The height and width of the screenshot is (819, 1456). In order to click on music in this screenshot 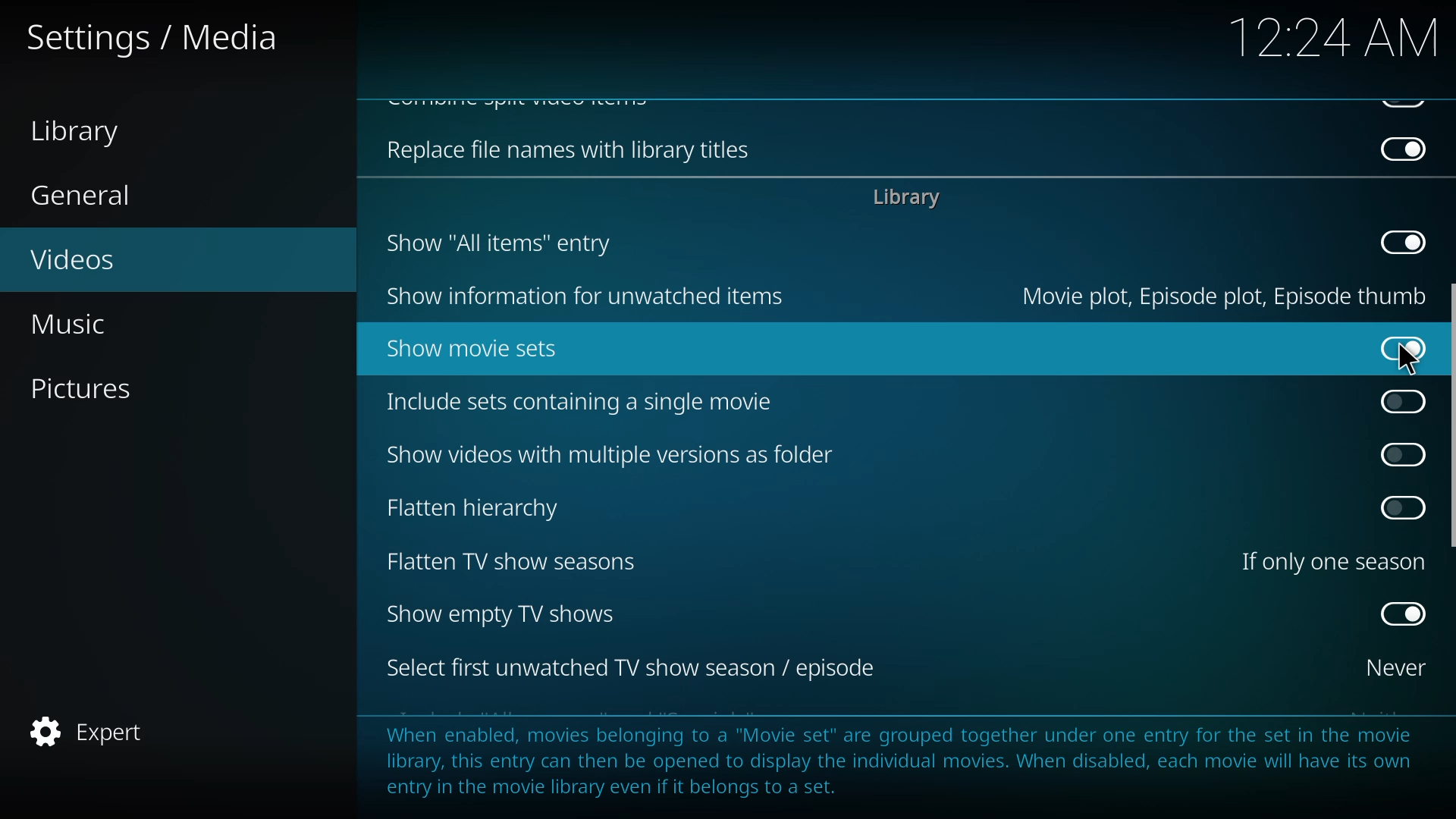, I will do `click(89, 323)`.